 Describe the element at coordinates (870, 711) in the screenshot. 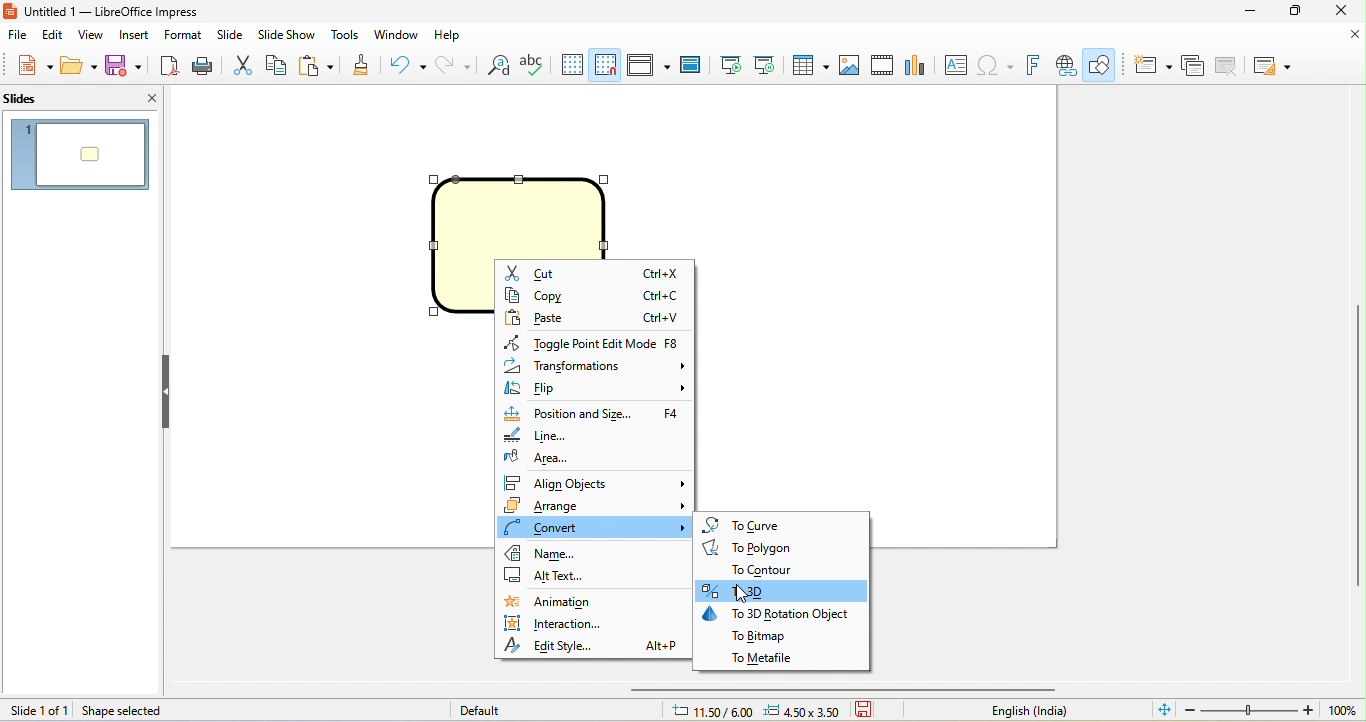

I see `save the document` at that location.